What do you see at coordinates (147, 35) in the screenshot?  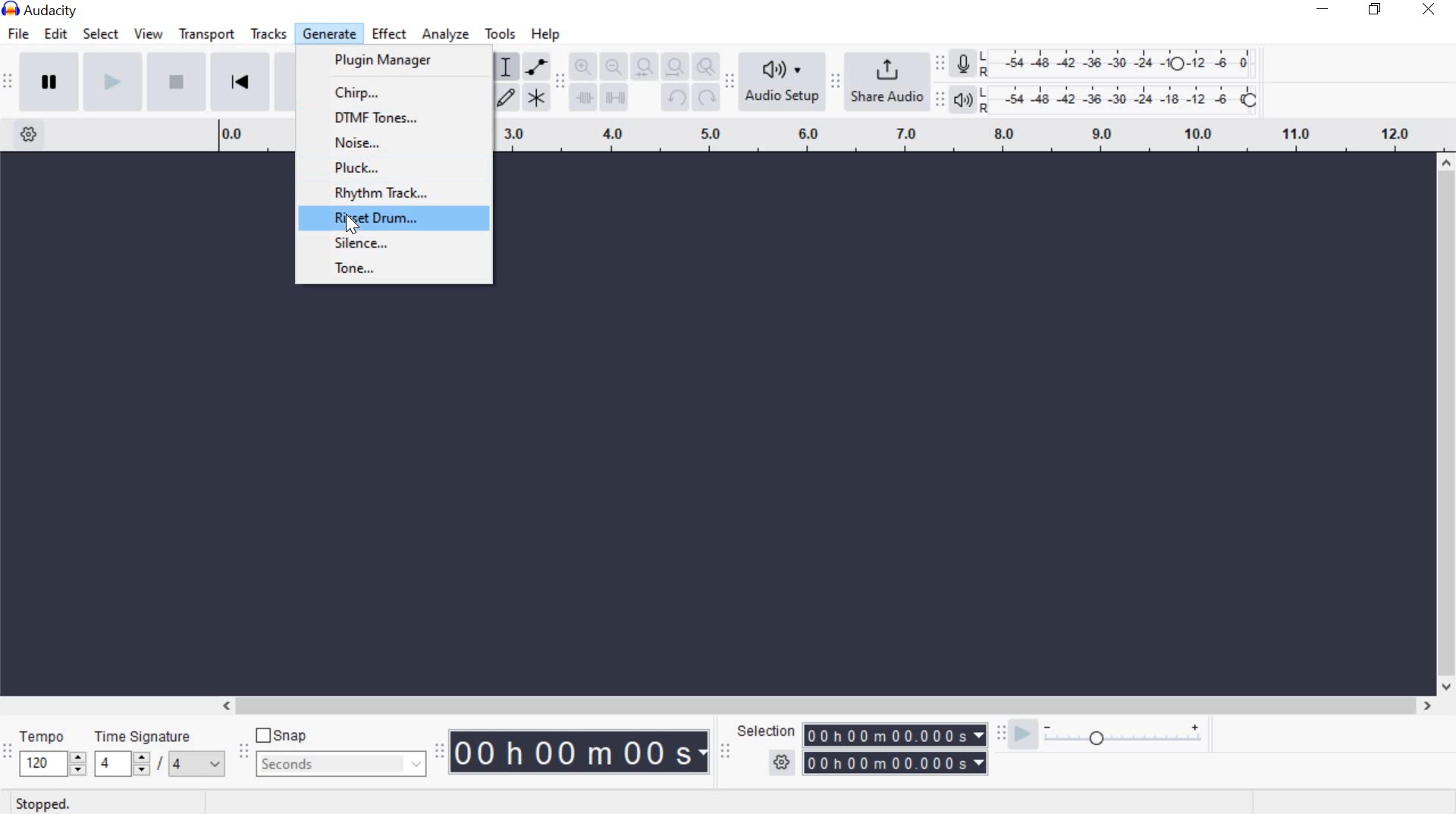 I see `view` at bounding box center [147, 35].